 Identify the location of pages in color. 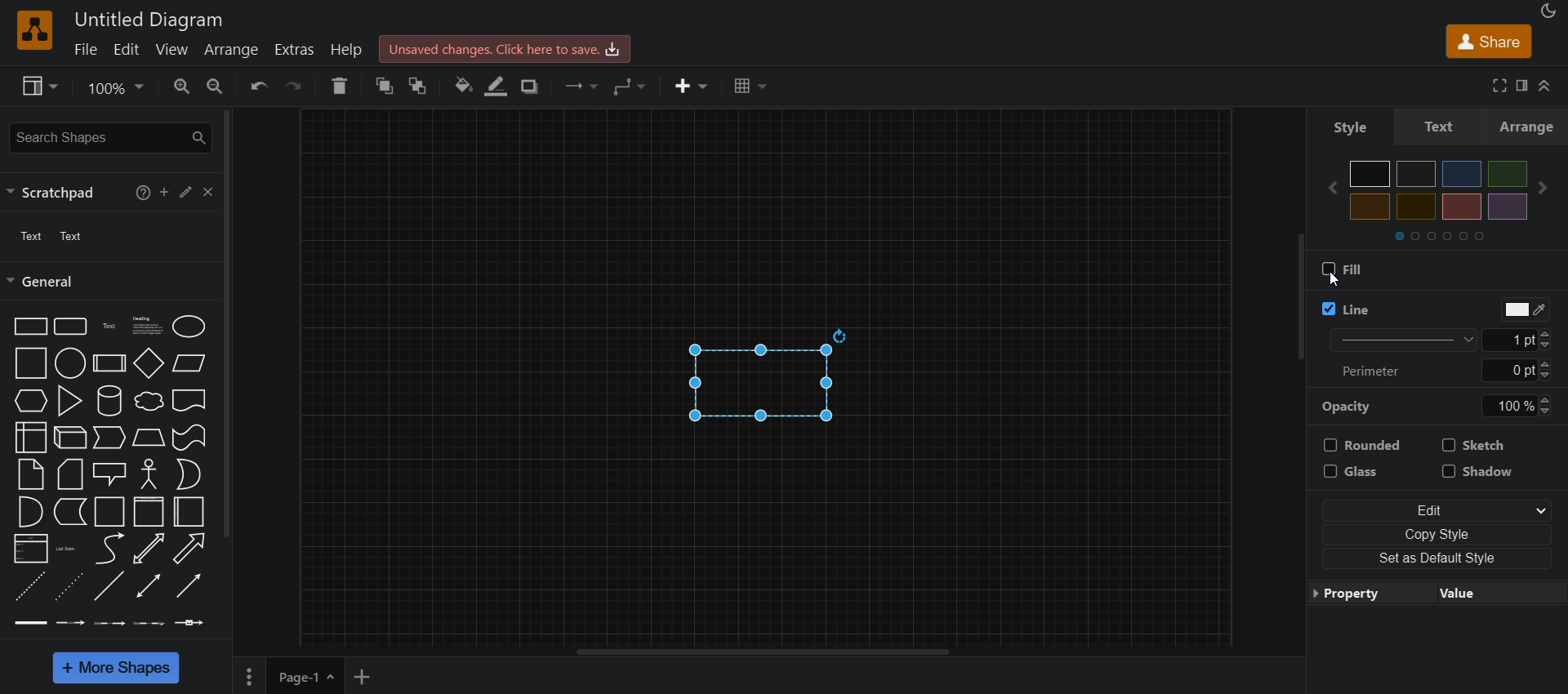
(1450, 236).